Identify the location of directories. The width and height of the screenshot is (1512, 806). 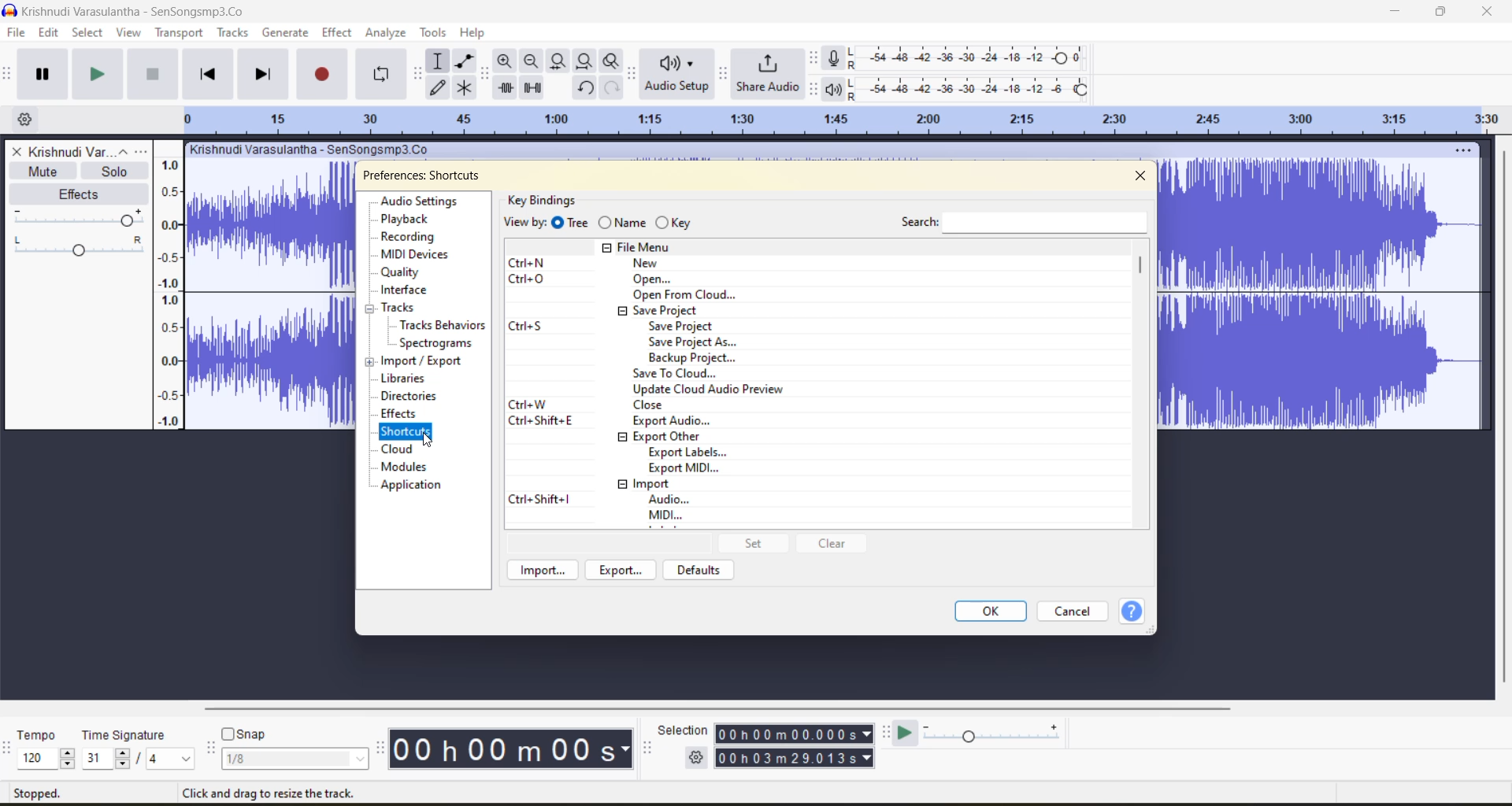
(414, 397).